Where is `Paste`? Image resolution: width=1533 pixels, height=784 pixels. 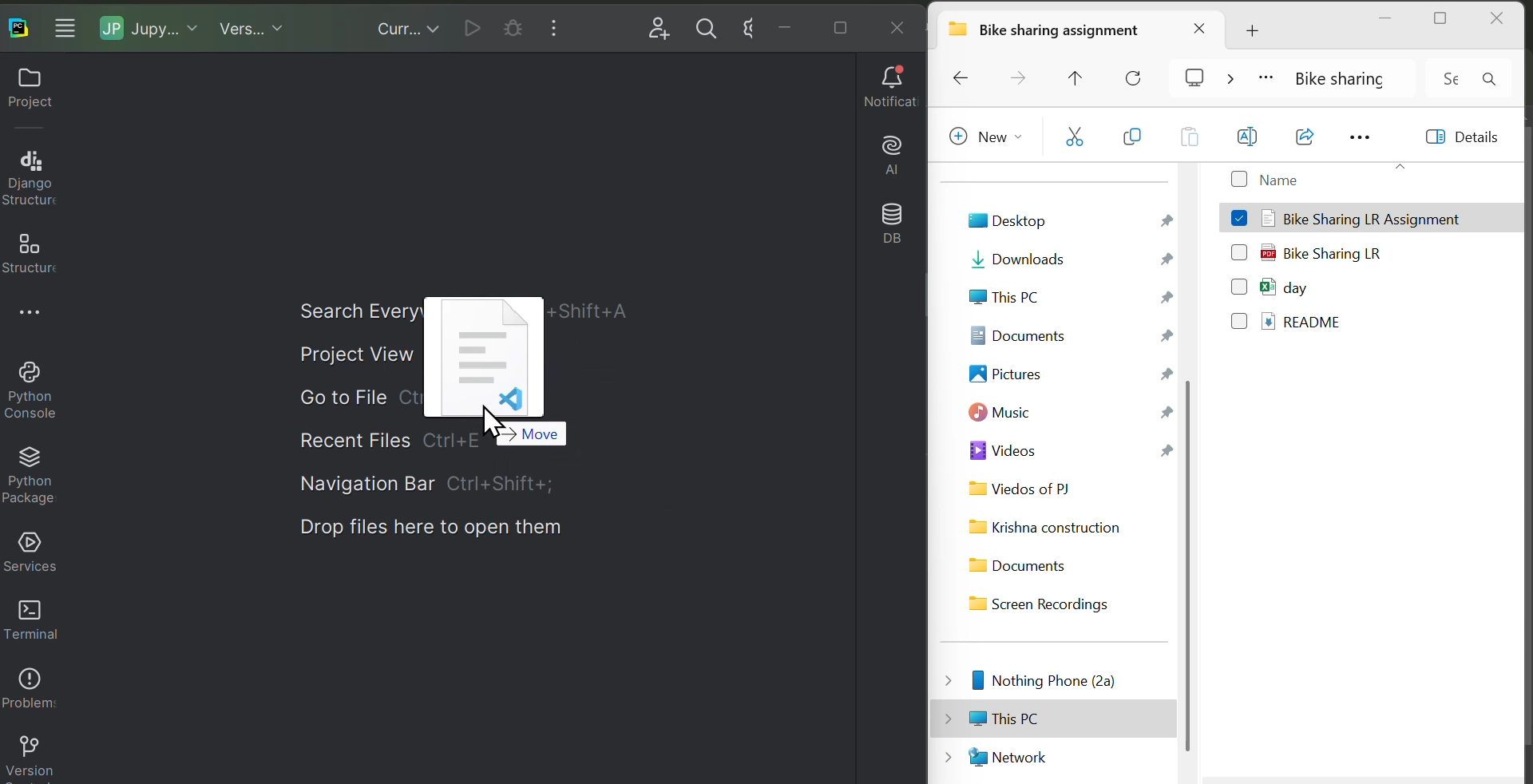 Paste is located at coordinates (1188, 140).